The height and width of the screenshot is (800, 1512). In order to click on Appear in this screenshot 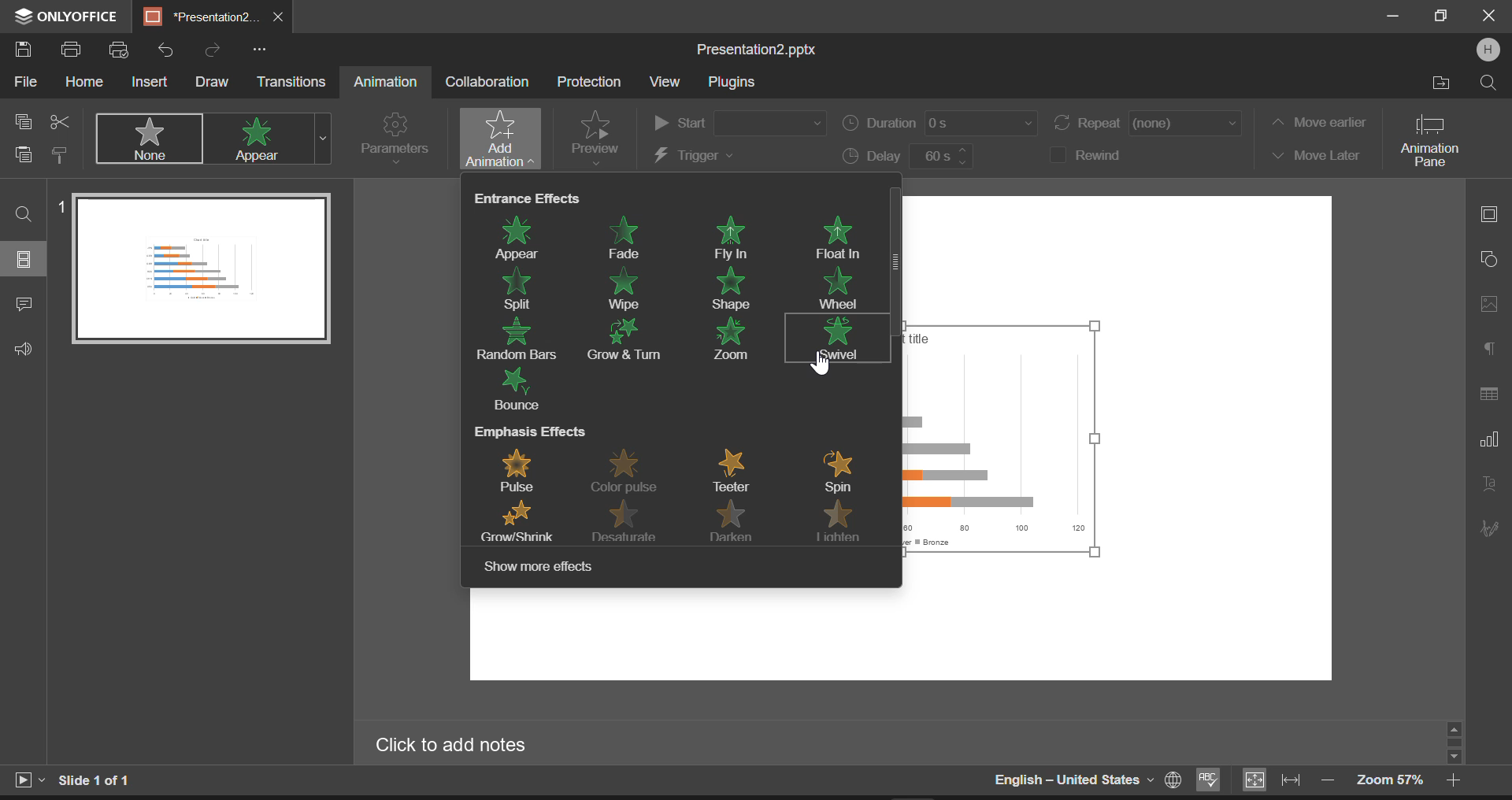, I will do `click(261, 139)`.